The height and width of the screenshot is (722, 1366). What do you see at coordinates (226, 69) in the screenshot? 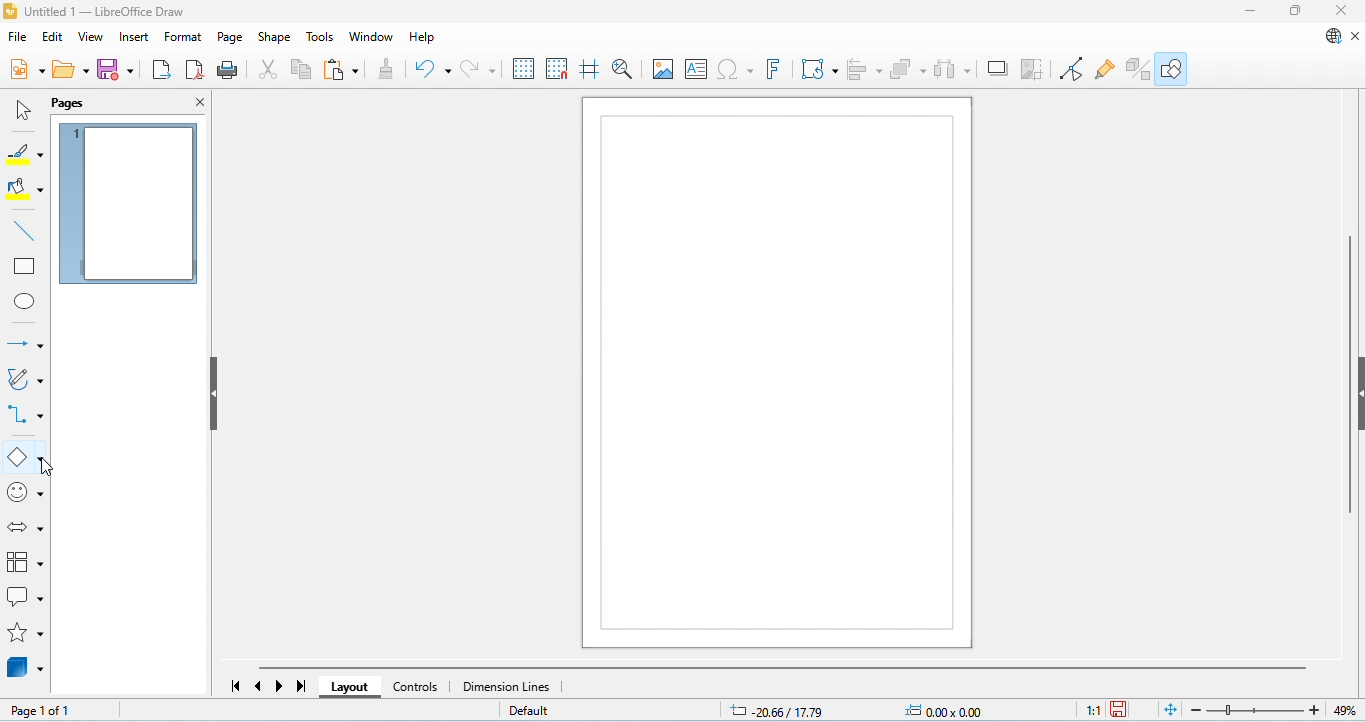
I see `print` at bounding box center [226, 69].